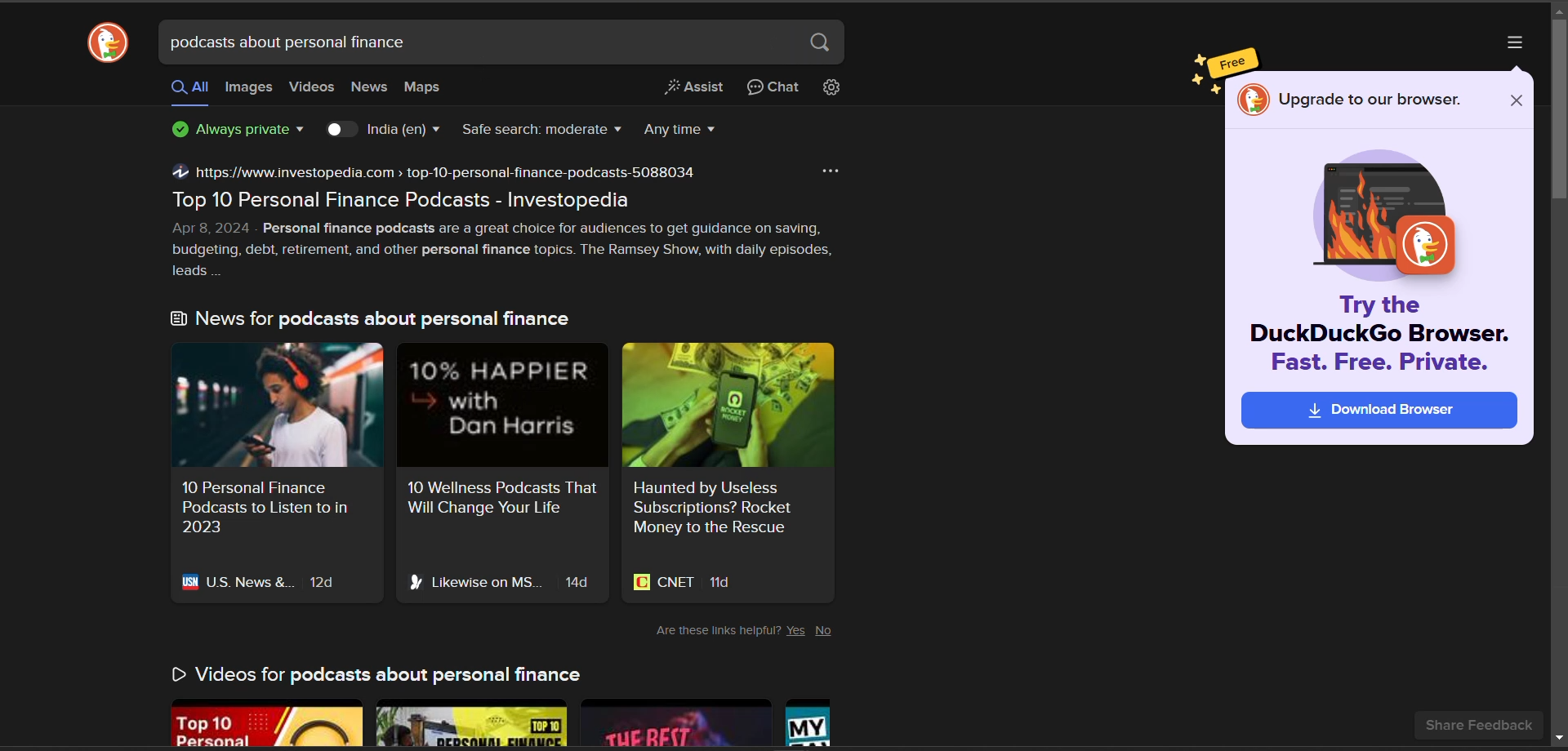 Image resolution: width=1568 pixels, height=751 pixels. I want to click on podcasts about personal finance, so click(287, 44).